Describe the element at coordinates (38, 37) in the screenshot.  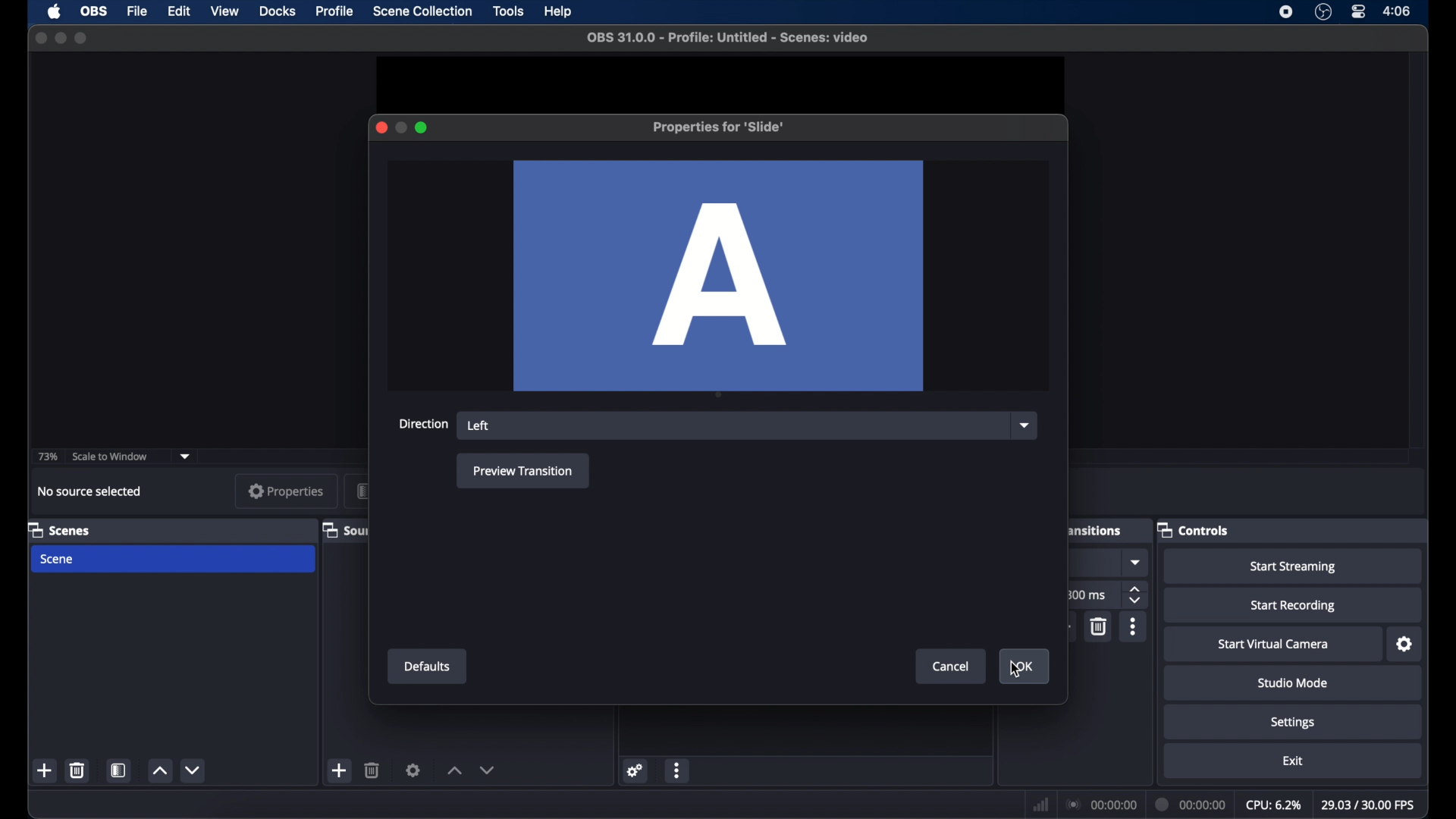
I see `close` at that location.